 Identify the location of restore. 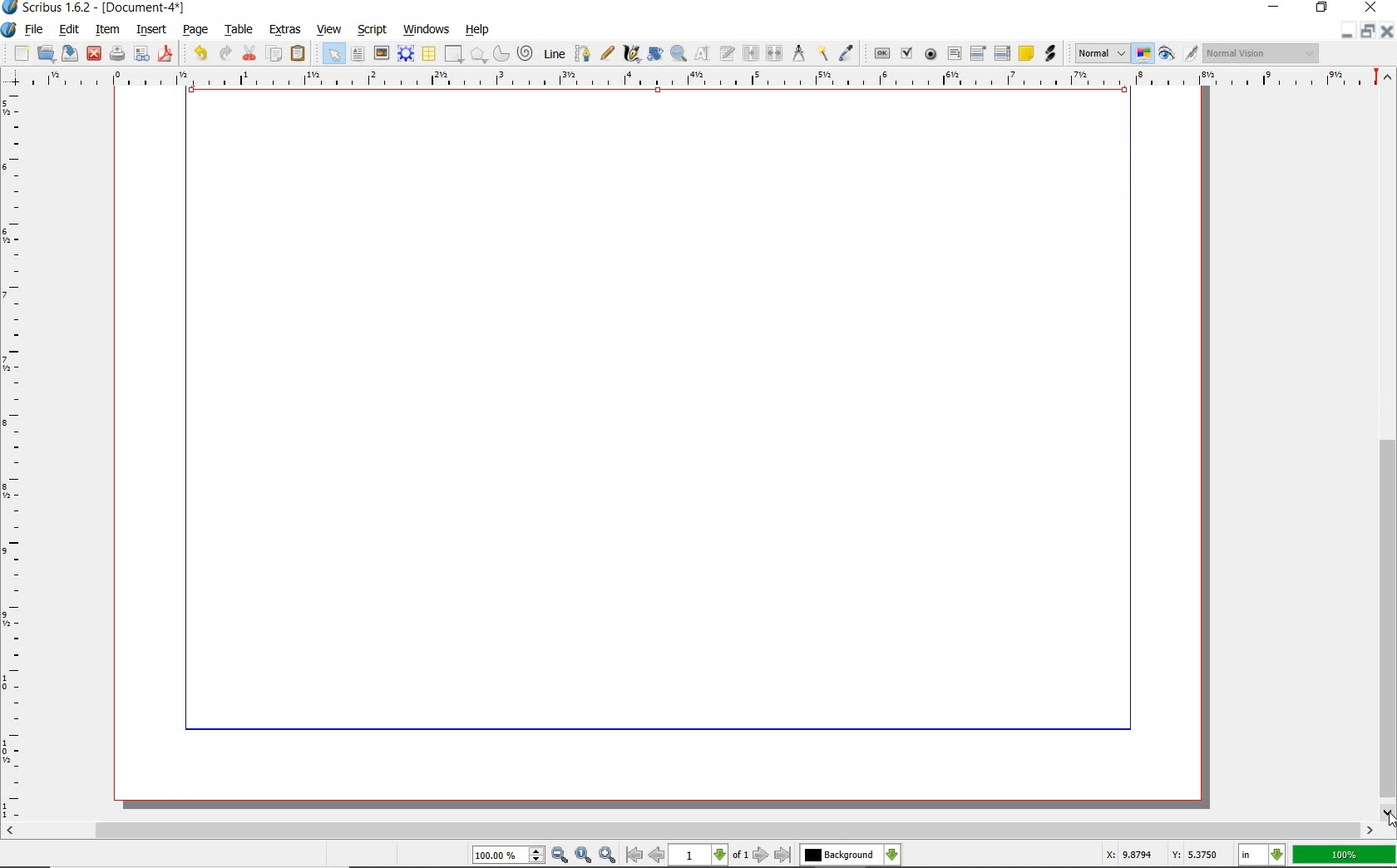
(1368, 32).